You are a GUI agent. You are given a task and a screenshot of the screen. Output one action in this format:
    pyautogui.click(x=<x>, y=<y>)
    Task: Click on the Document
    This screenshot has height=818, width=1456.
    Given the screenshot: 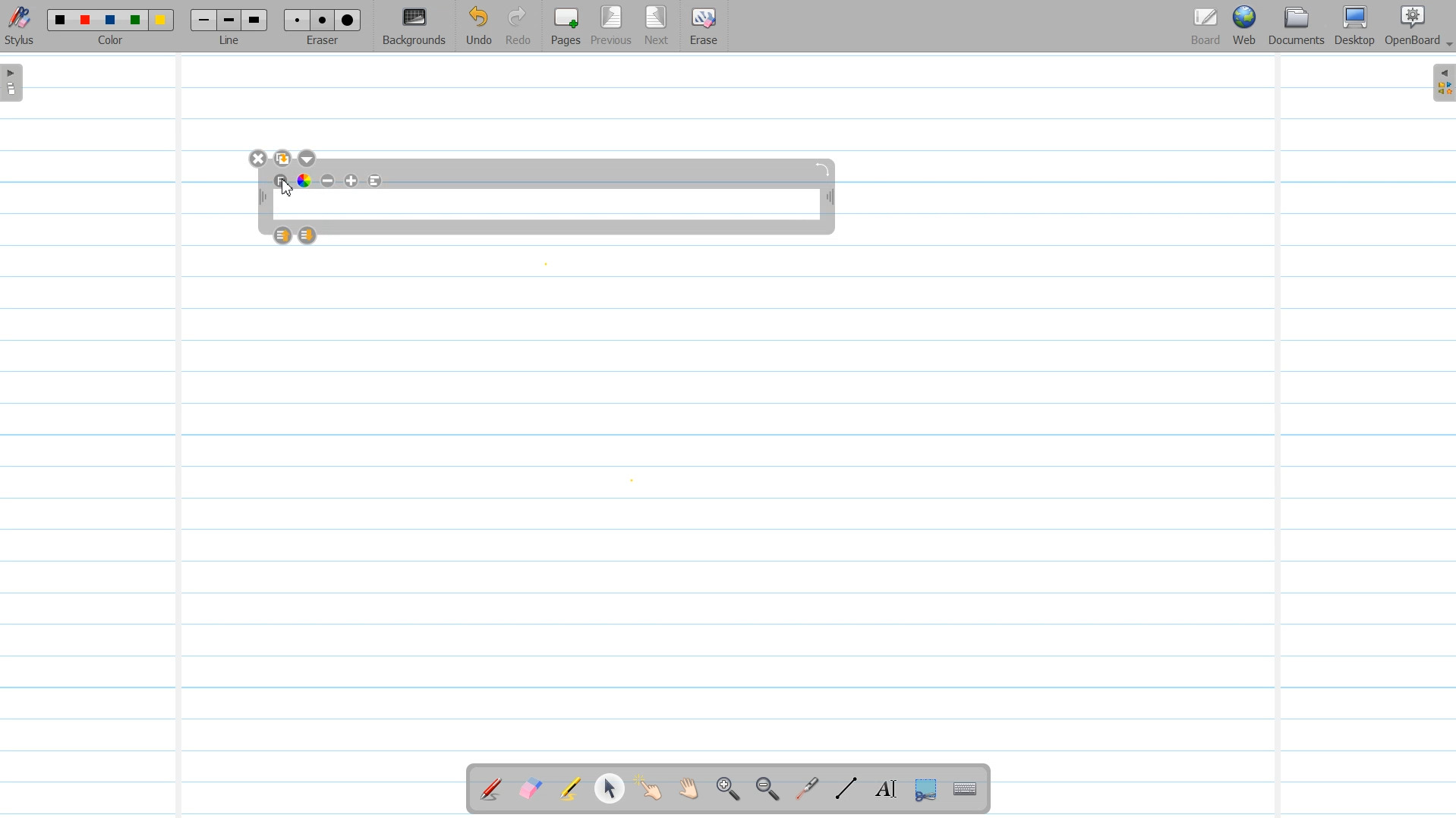 What is the action you would take?
    pyautogui.click(x=1298, y=26)
    